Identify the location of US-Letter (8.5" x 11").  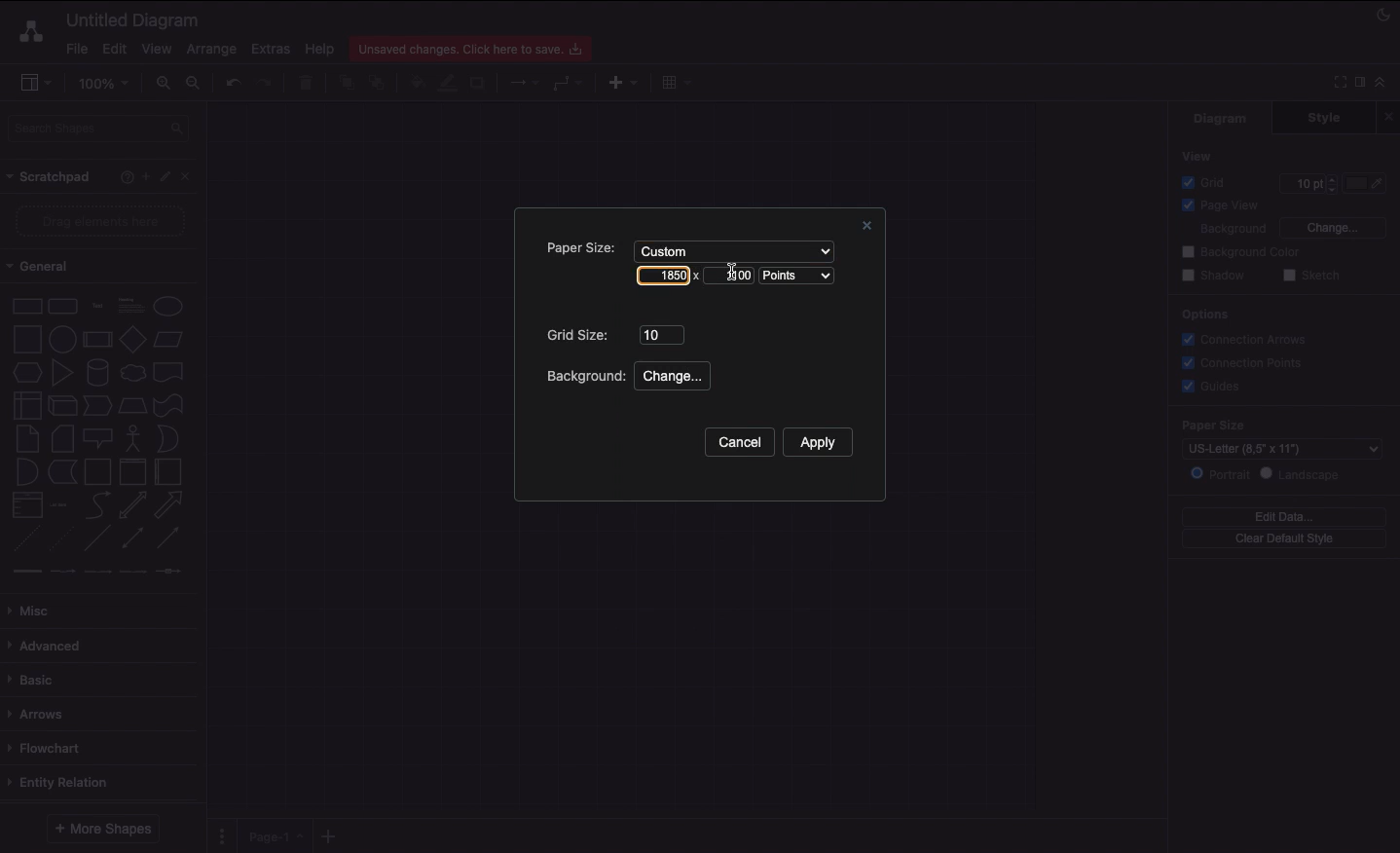
(1274, 451).